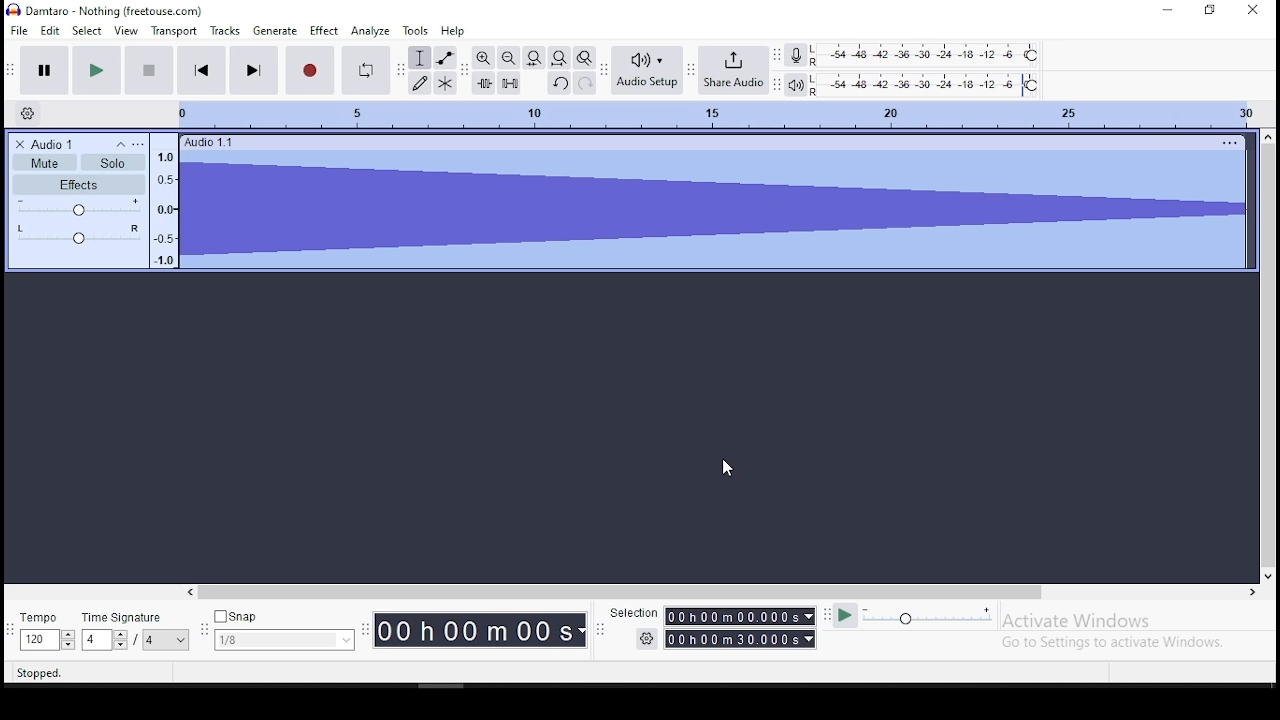  What do you see at coordinates (420, 57) in the screenshot?
I see `selection tool` at bounding box center [420, 57].